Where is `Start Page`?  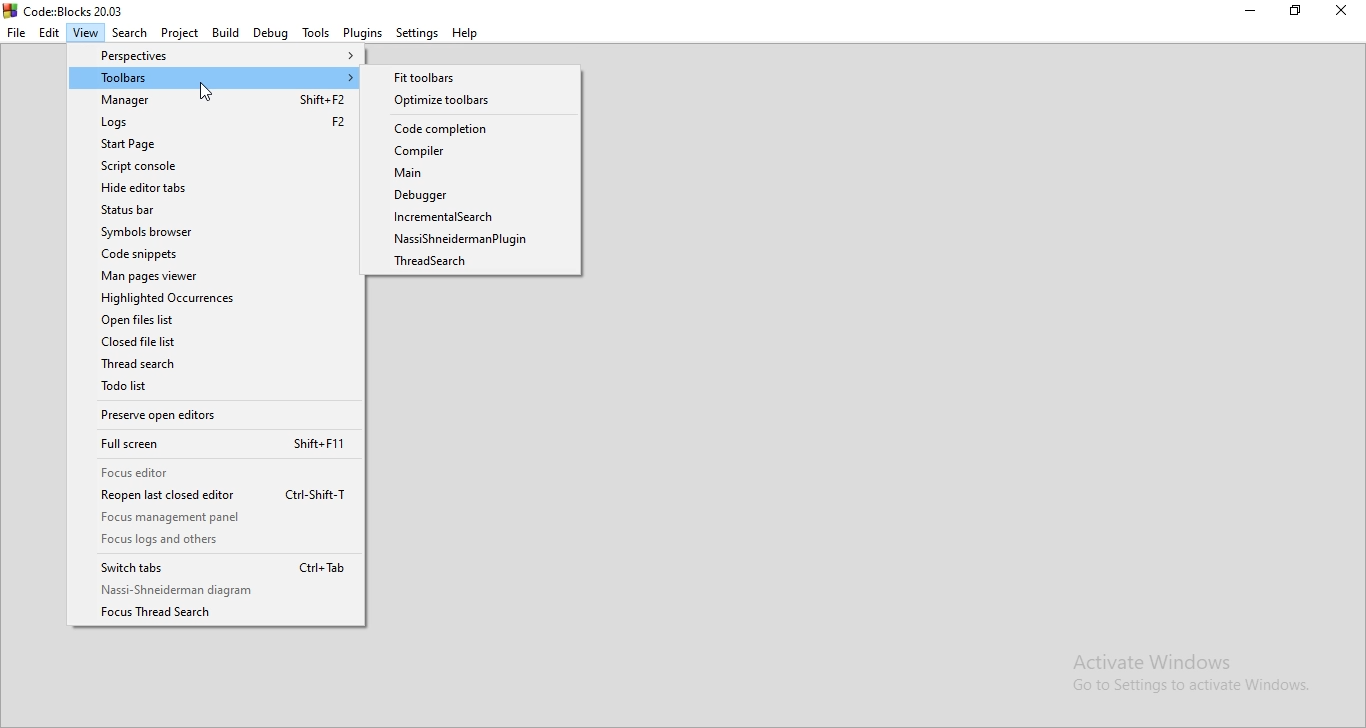
Start Page is located at coordinates (211, 143).